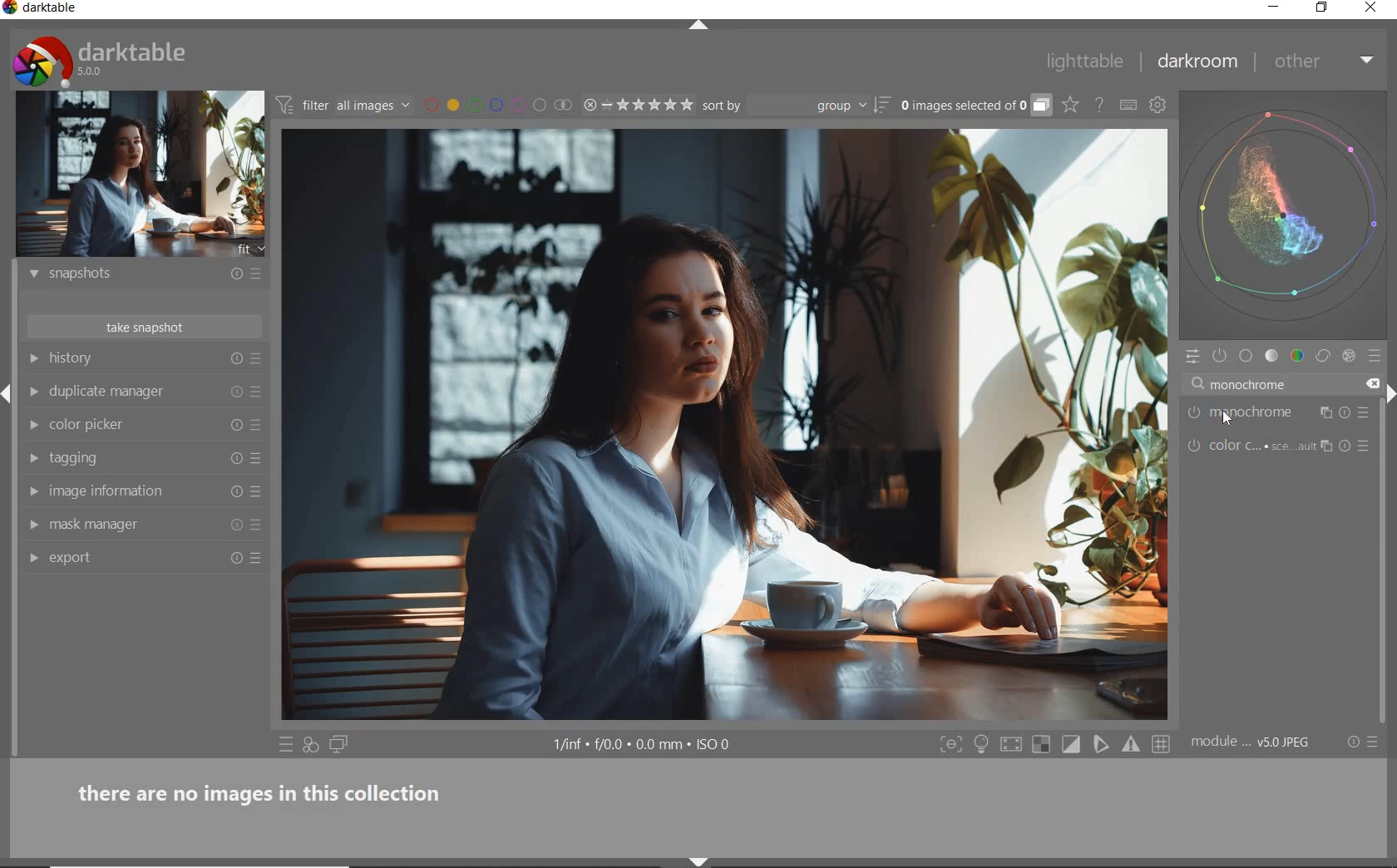  What do you see at coordinates (235, 392) in the screenshot?
I see `reset` at bounding box center [235, 392].